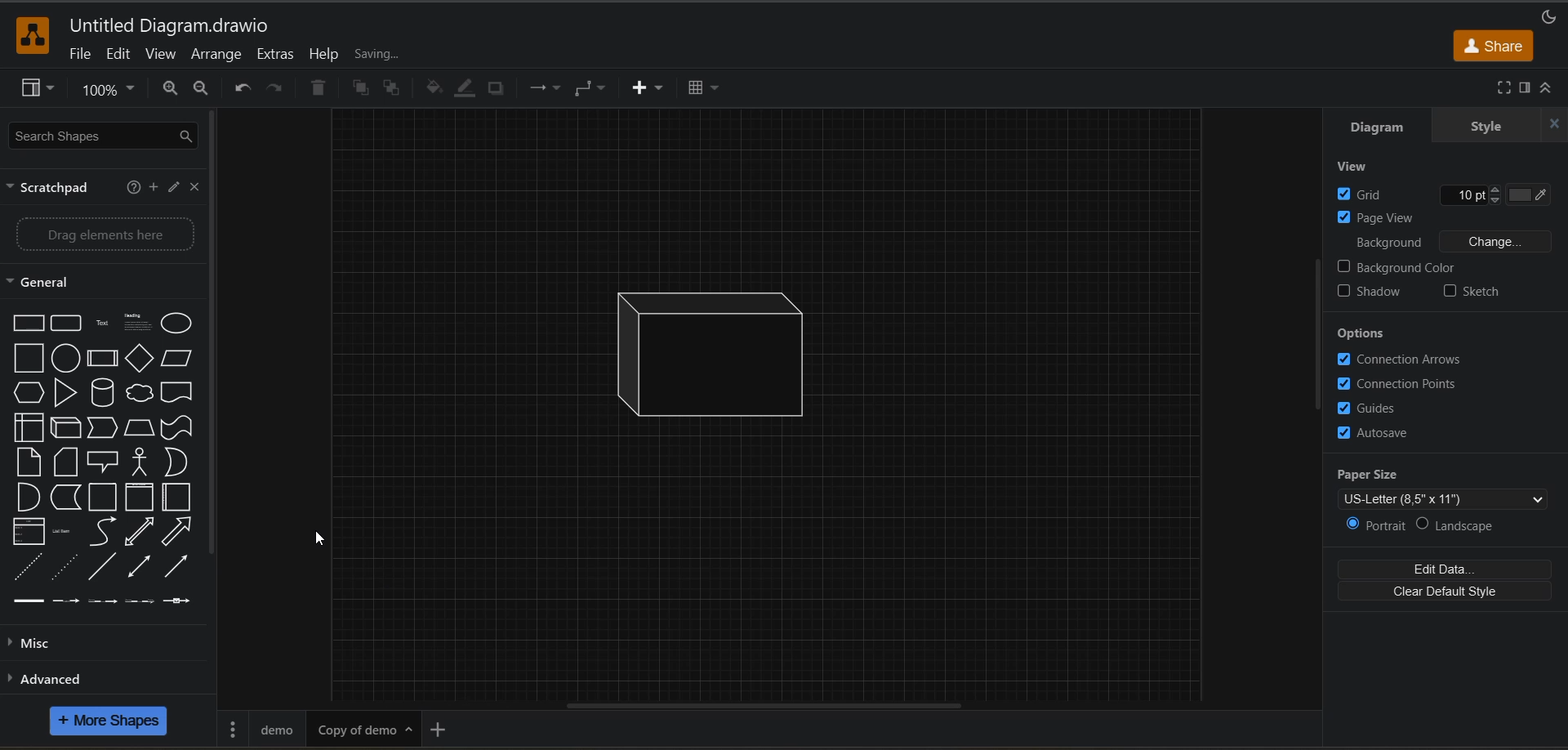 This screenshot has width=1568, height=750. What do you see at coordinates (199, 88) in the screenshot?
I see `zoom in` at bounding box center [199, 88].